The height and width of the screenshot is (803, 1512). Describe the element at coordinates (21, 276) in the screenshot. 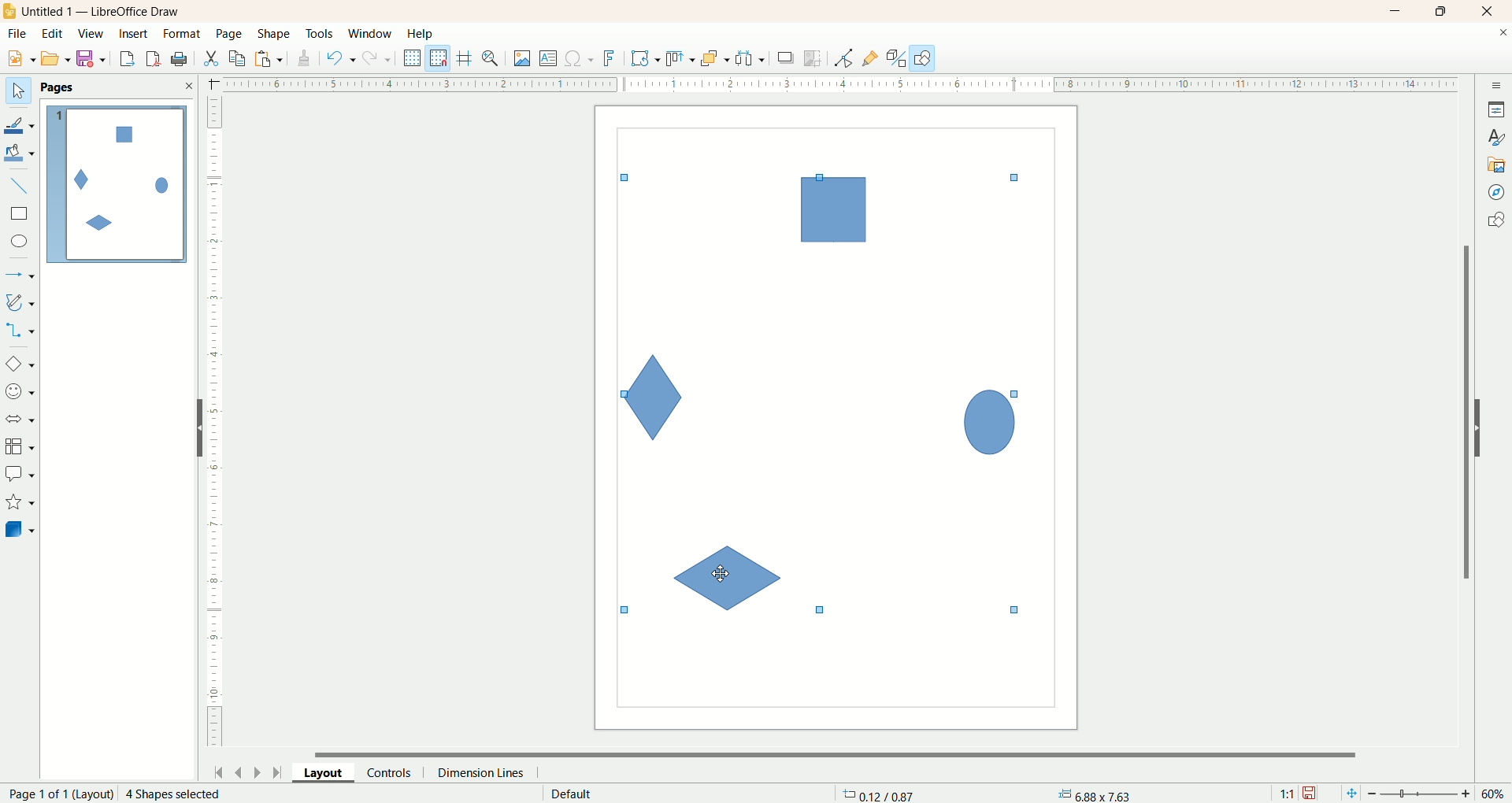

I see `lines and arrows` at that location.